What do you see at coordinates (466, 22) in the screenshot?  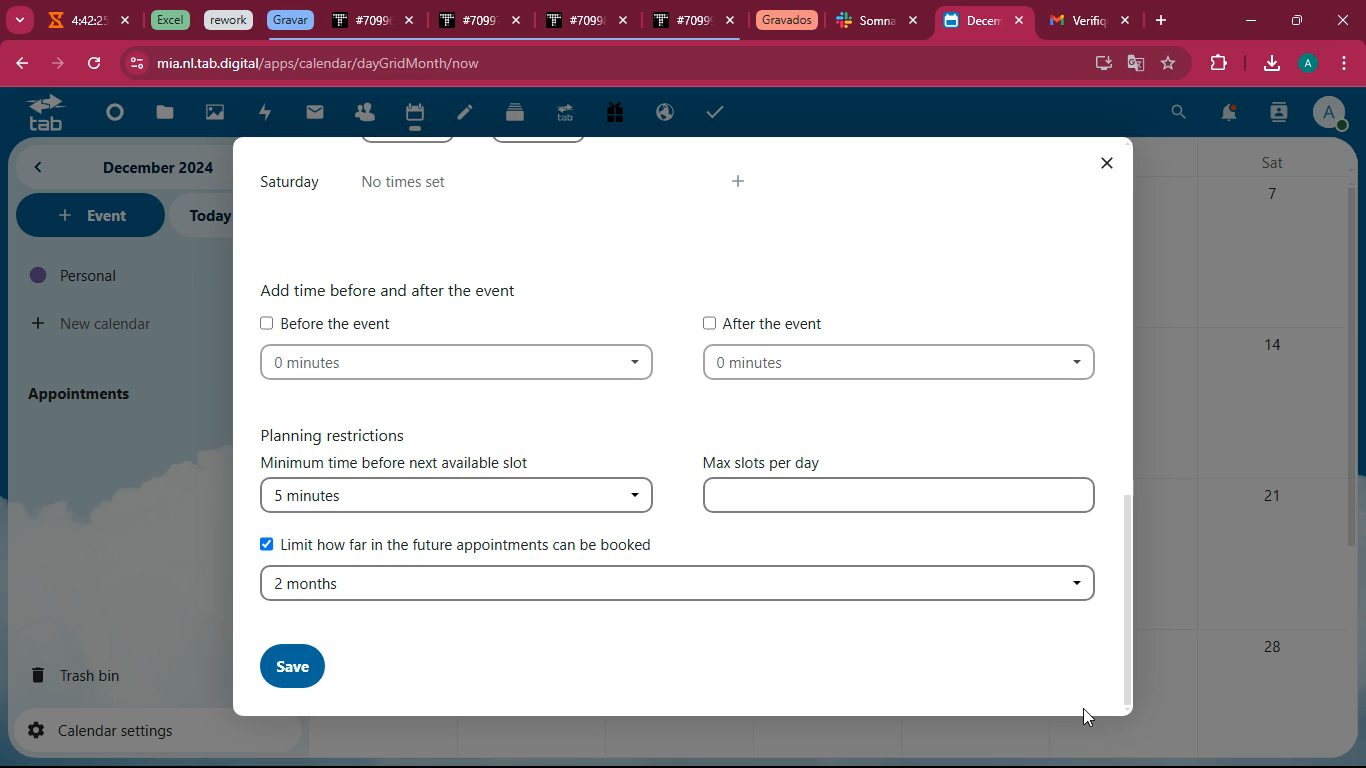 I see `tab` at bounding box center [466, 22].